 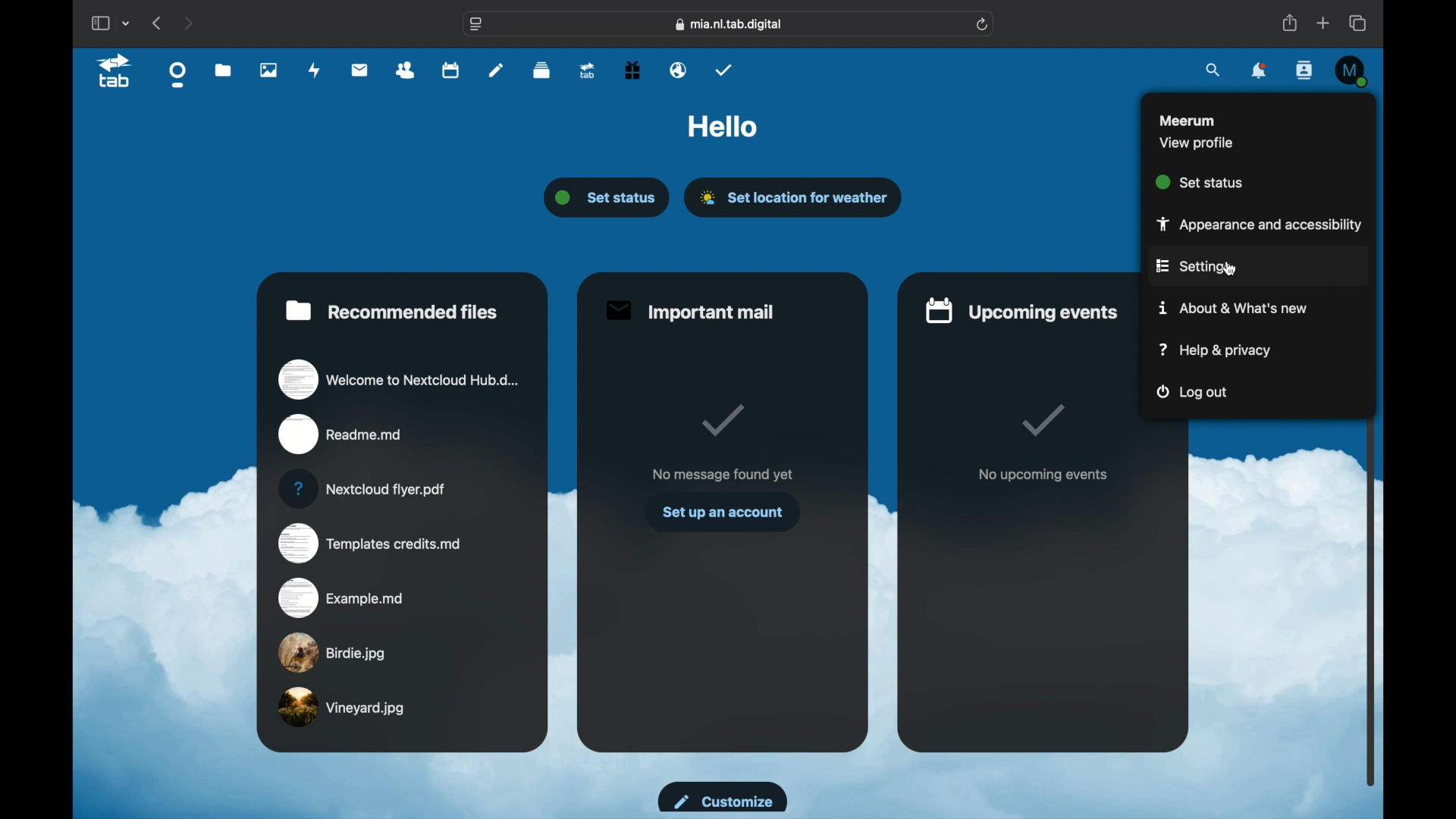 I want to click on set status, so click(x=609, y=198).